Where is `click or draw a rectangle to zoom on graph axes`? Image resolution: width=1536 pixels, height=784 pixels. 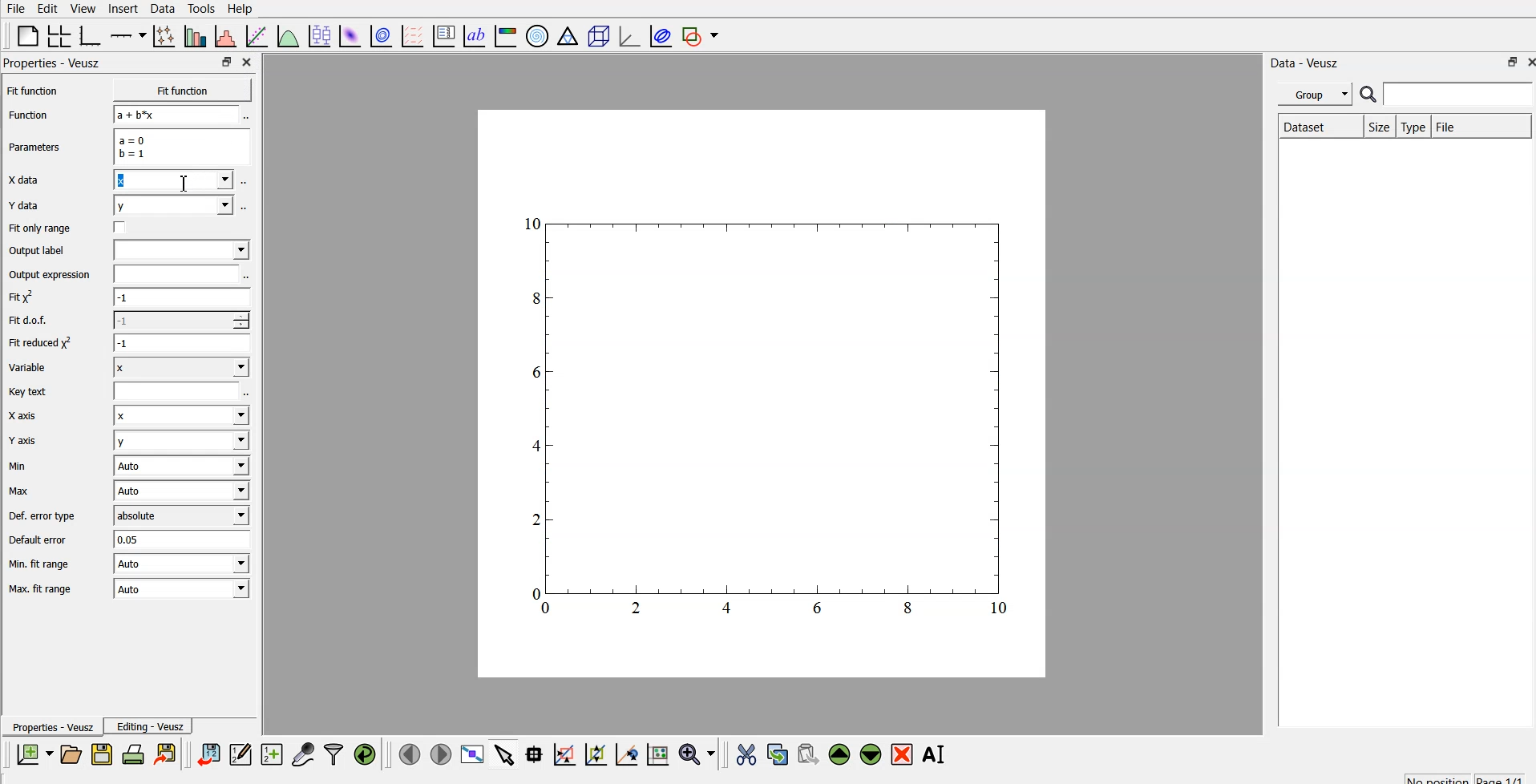
click or draw a rectangle to zoom on graph axes is located at coordinates (567, 756).